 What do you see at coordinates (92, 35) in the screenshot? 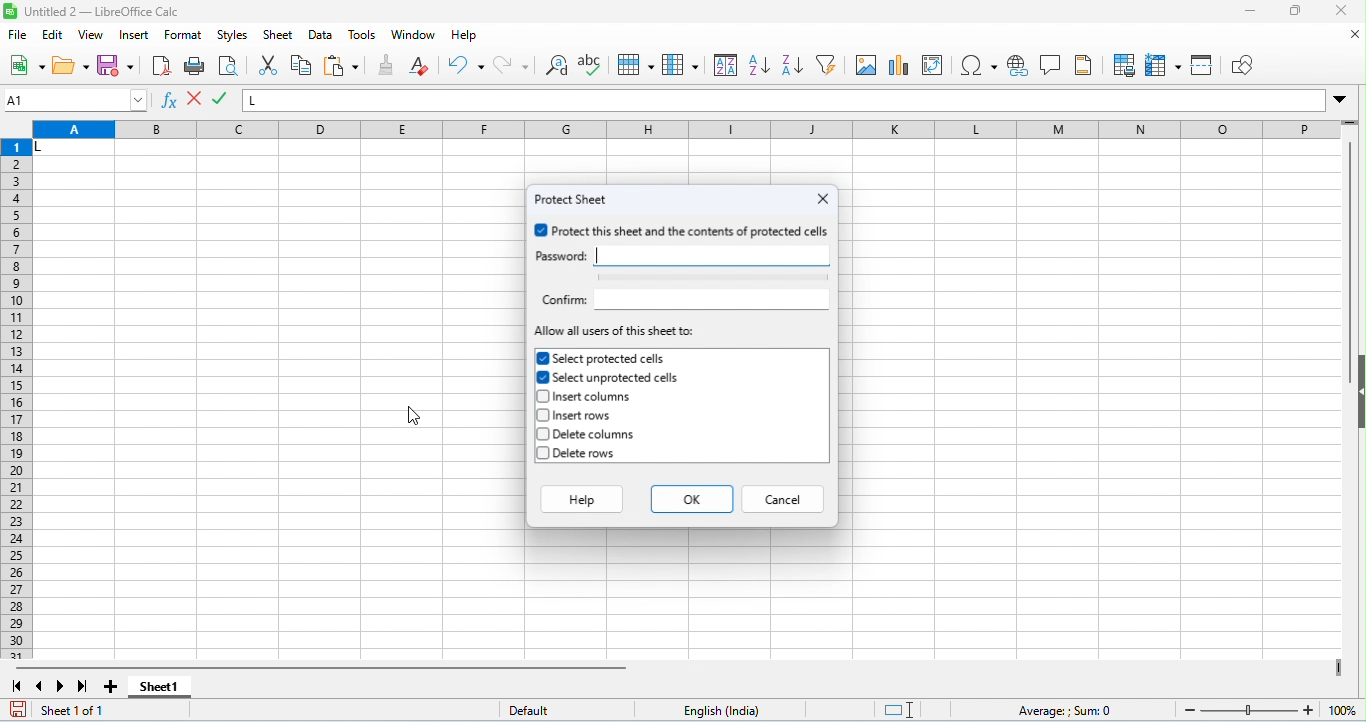
I see `view` at bounding box center [92, 35].